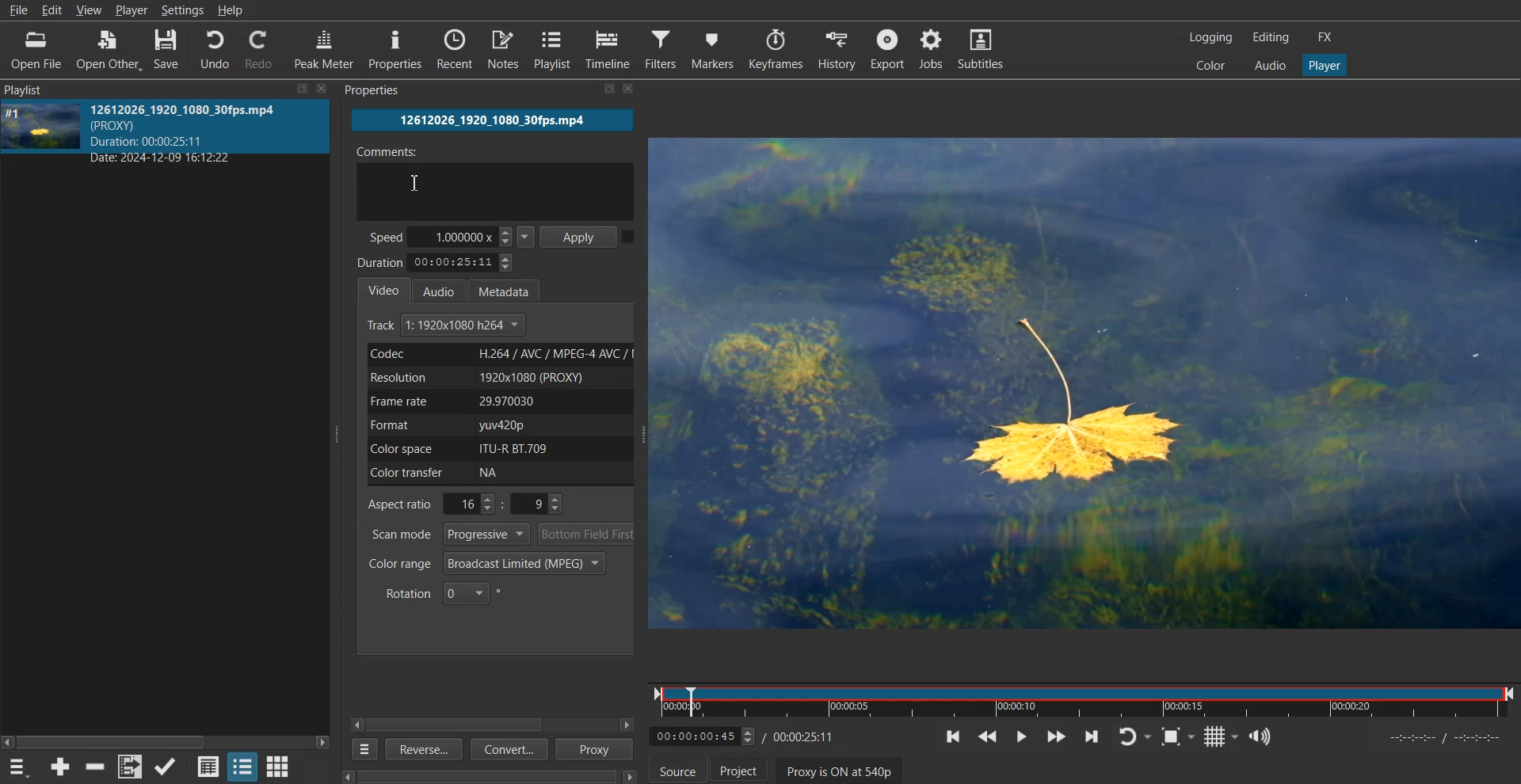  I want to click on scrollbar, so click(478, 773).